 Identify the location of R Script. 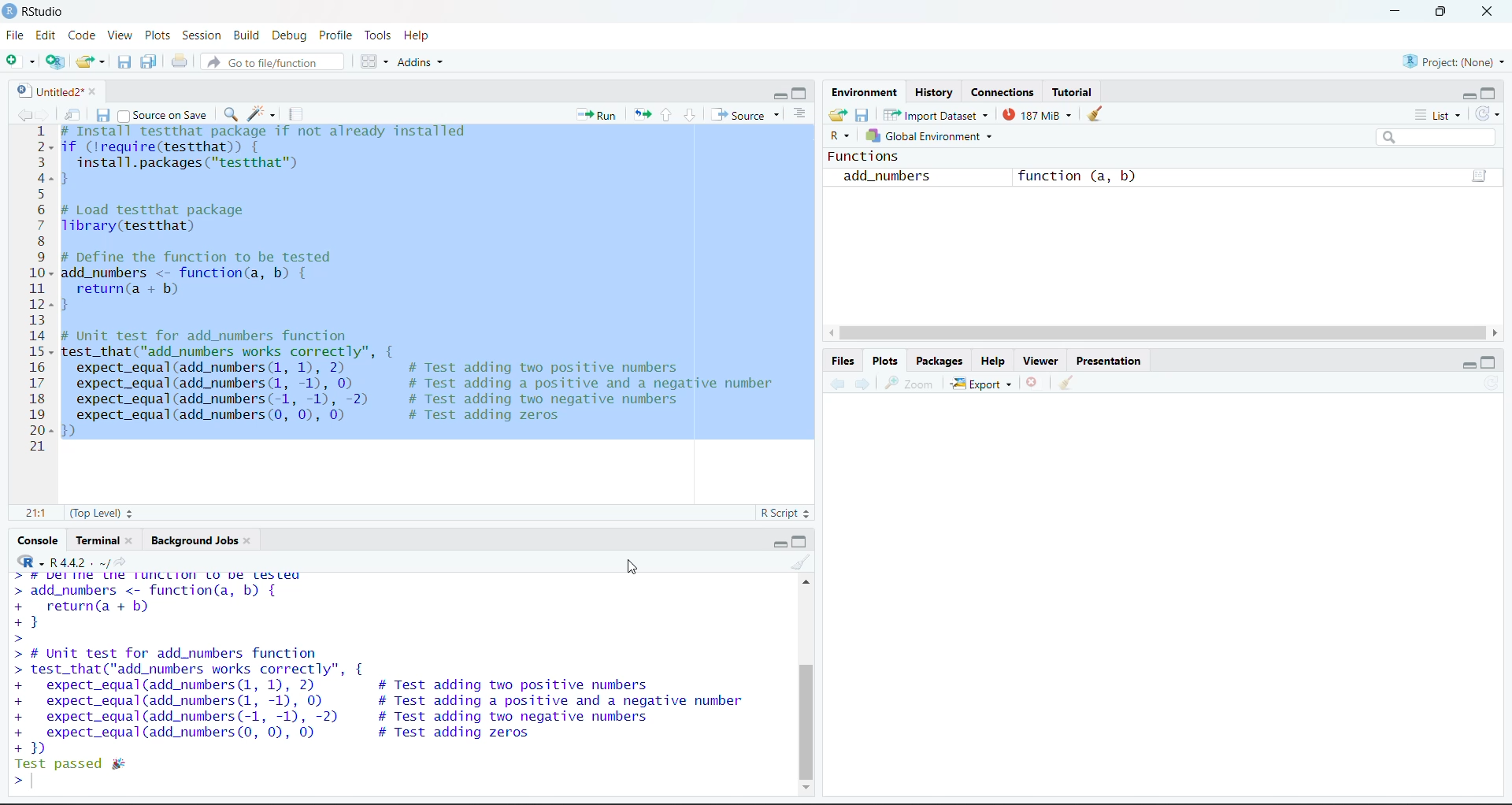
(784, 512).